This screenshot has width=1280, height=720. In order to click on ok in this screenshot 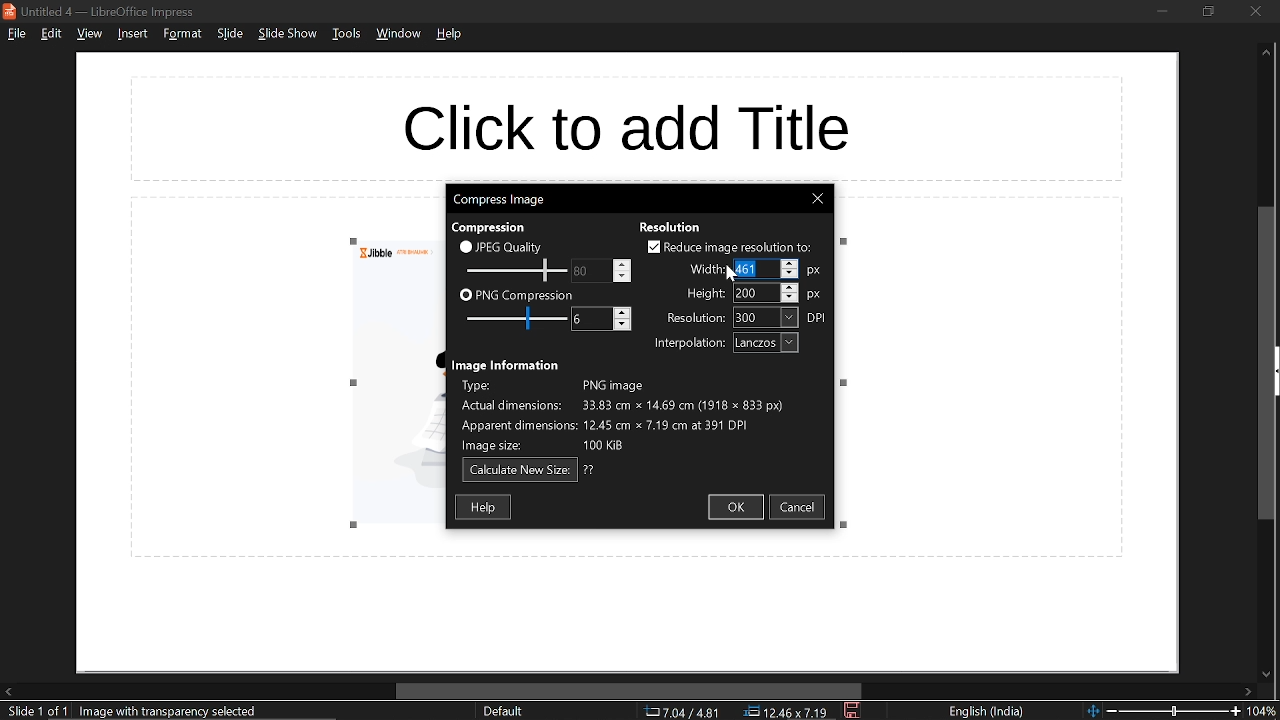, I will do `click(738, 508)`.